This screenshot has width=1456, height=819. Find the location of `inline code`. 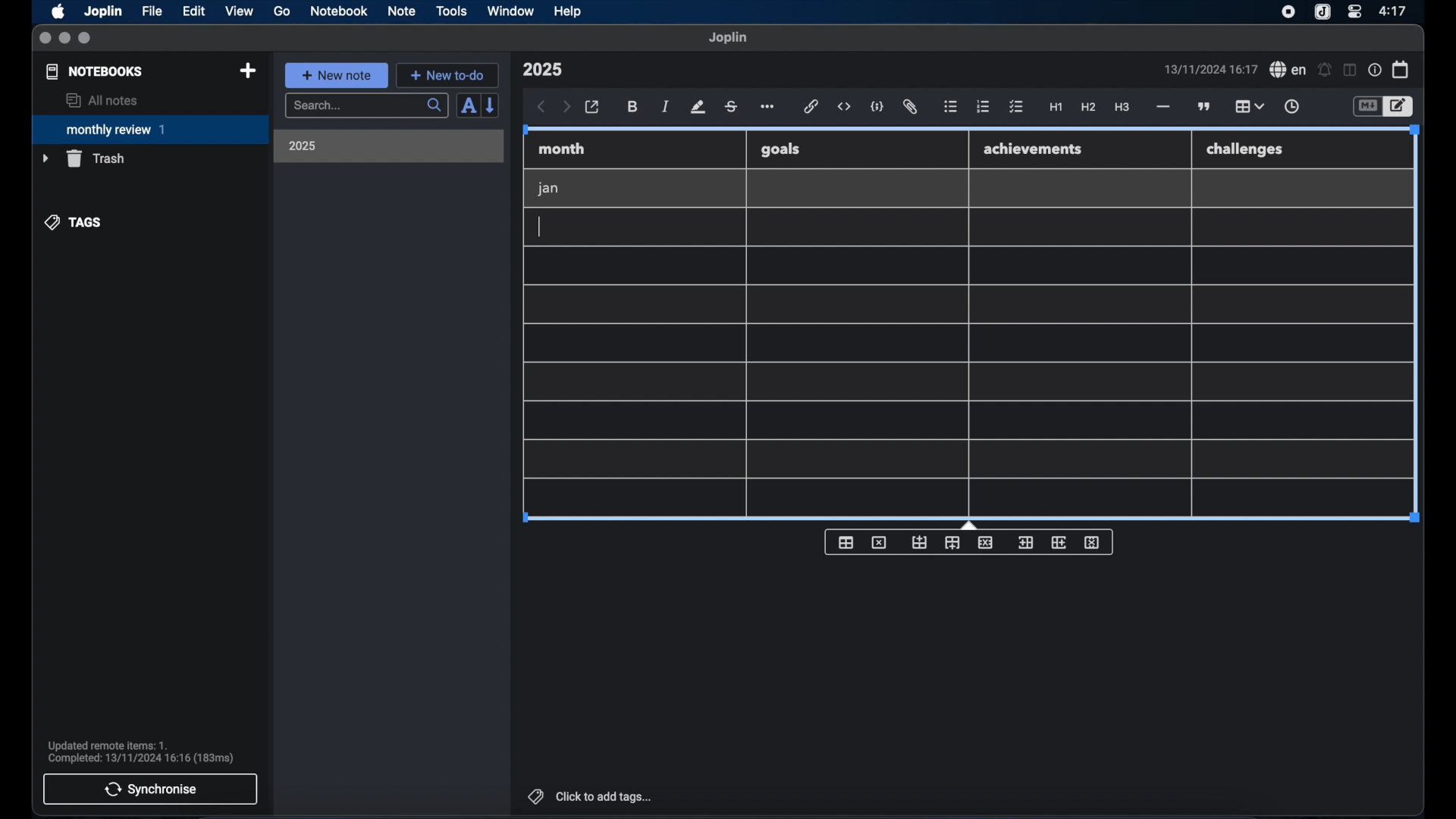

inline code is located at coordinates (844, 107).